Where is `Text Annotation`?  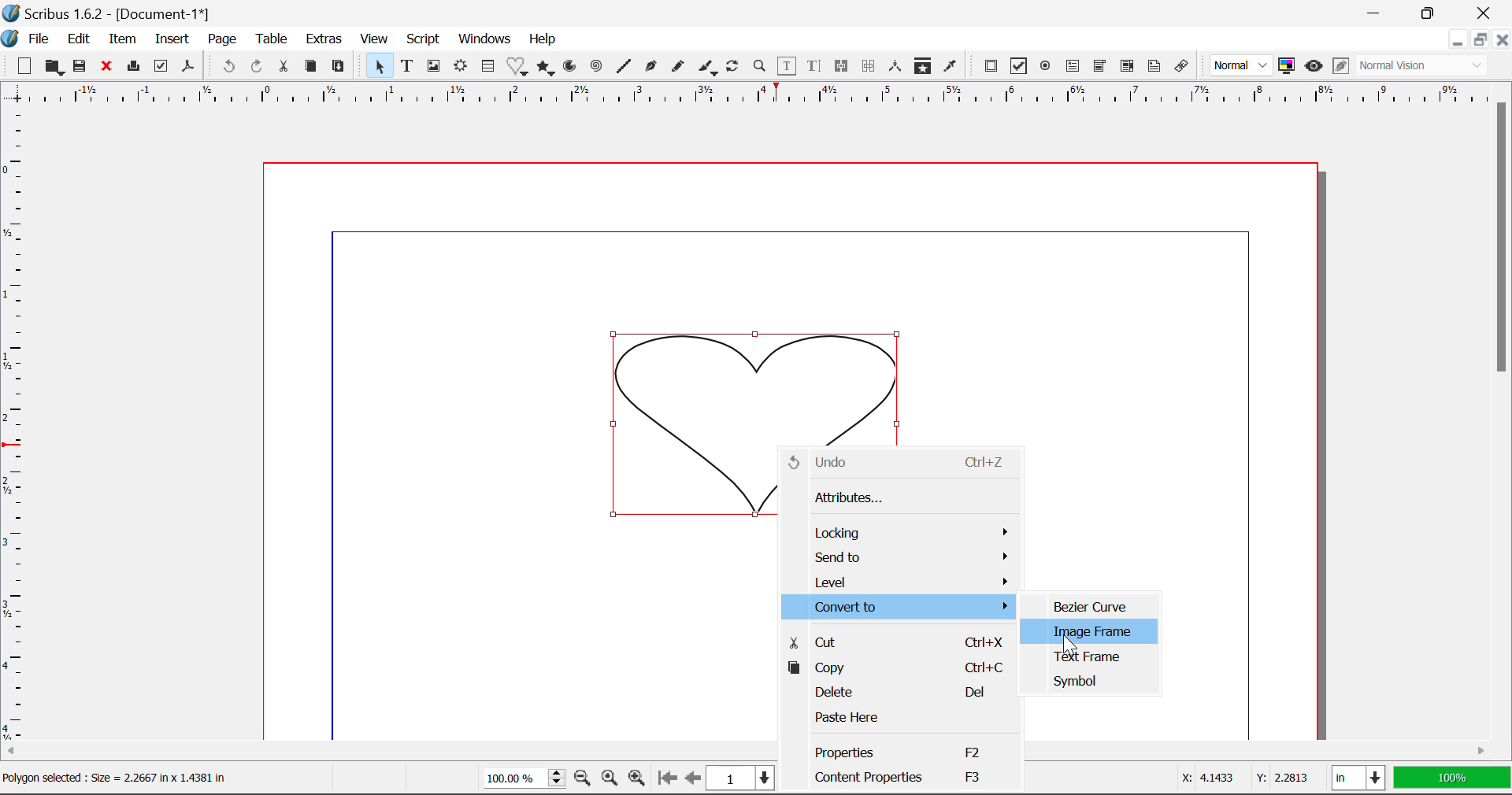 Text Annotation is located at coordinates (1153, 67).